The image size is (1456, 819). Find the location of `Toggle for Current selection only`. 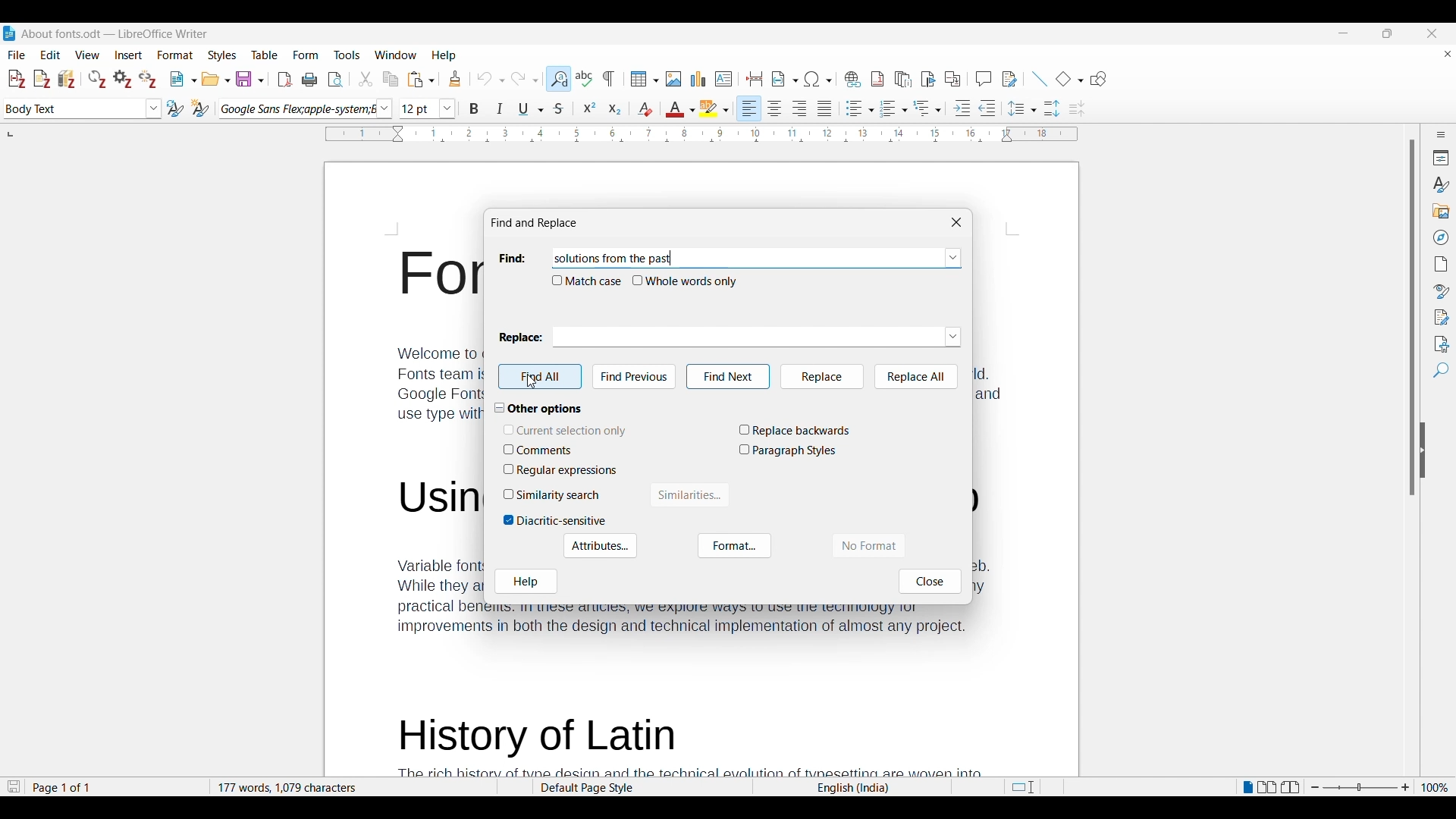

Toggle for Current selection only is located at coordinates (566, 431).